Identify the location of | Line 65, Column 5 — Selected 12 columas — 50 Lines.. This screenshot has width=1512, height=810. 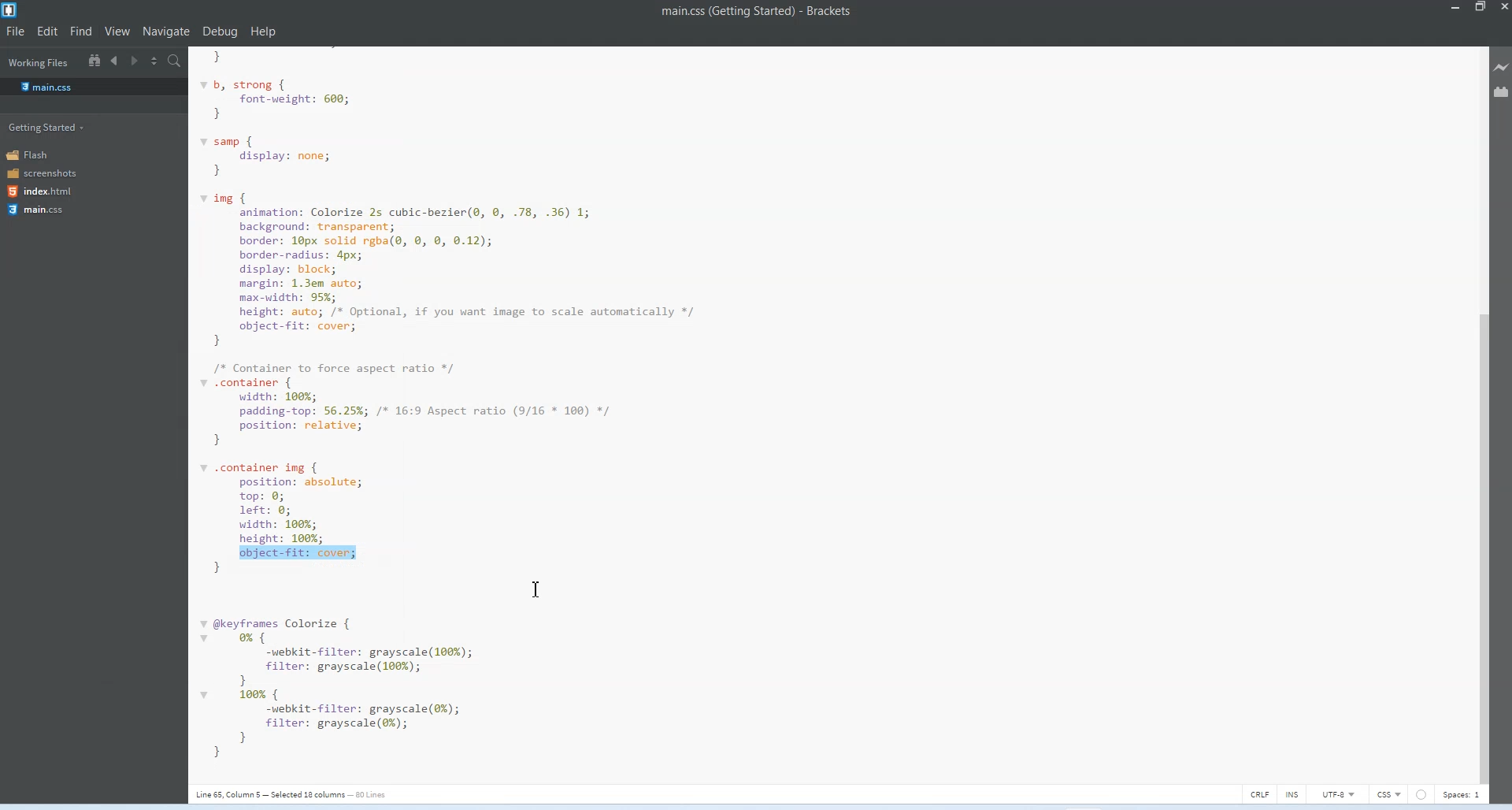
(303, 794).